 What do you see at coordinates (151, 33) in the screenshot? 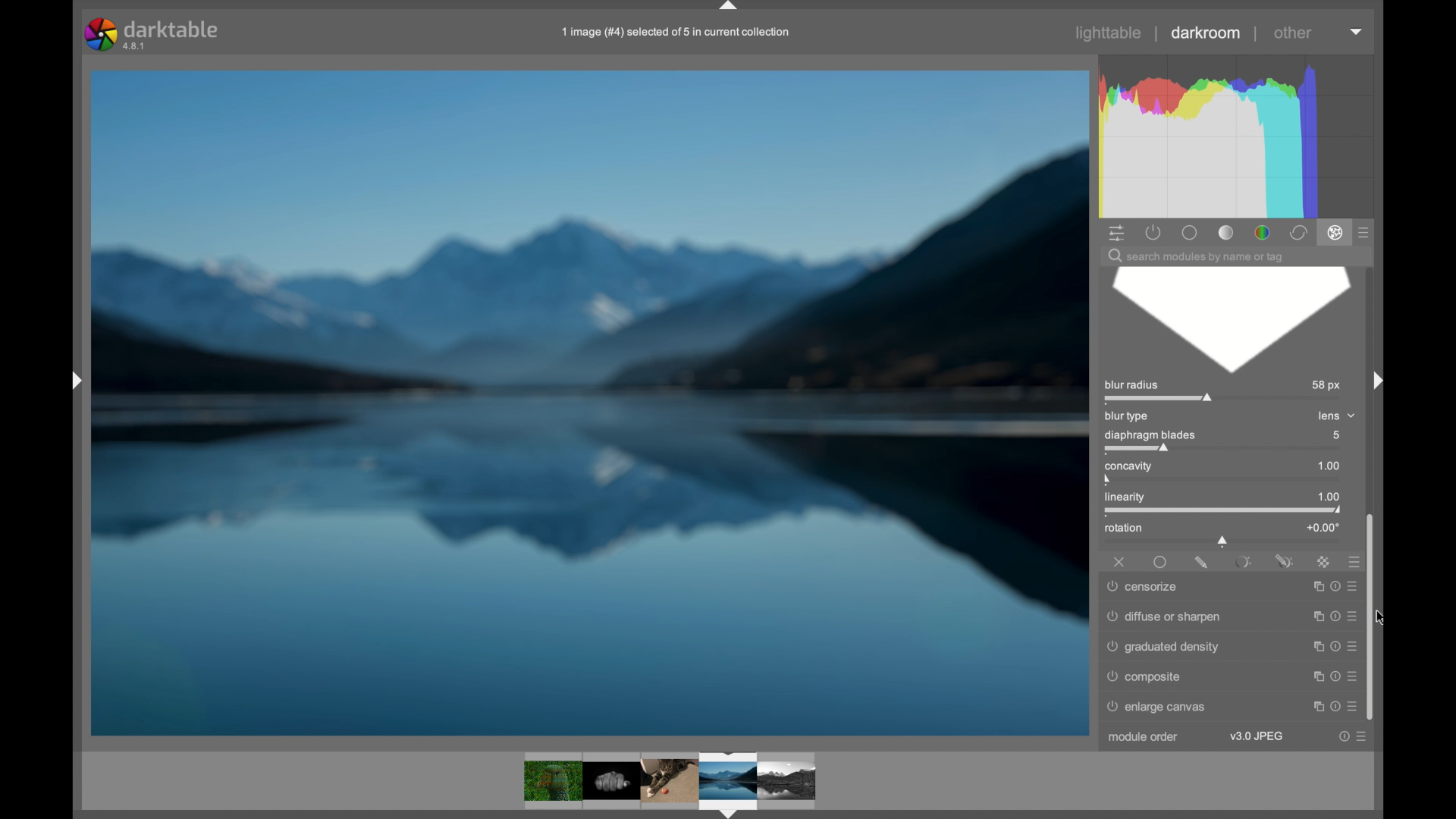
I see `darktable` at bounding box center [151, 33].